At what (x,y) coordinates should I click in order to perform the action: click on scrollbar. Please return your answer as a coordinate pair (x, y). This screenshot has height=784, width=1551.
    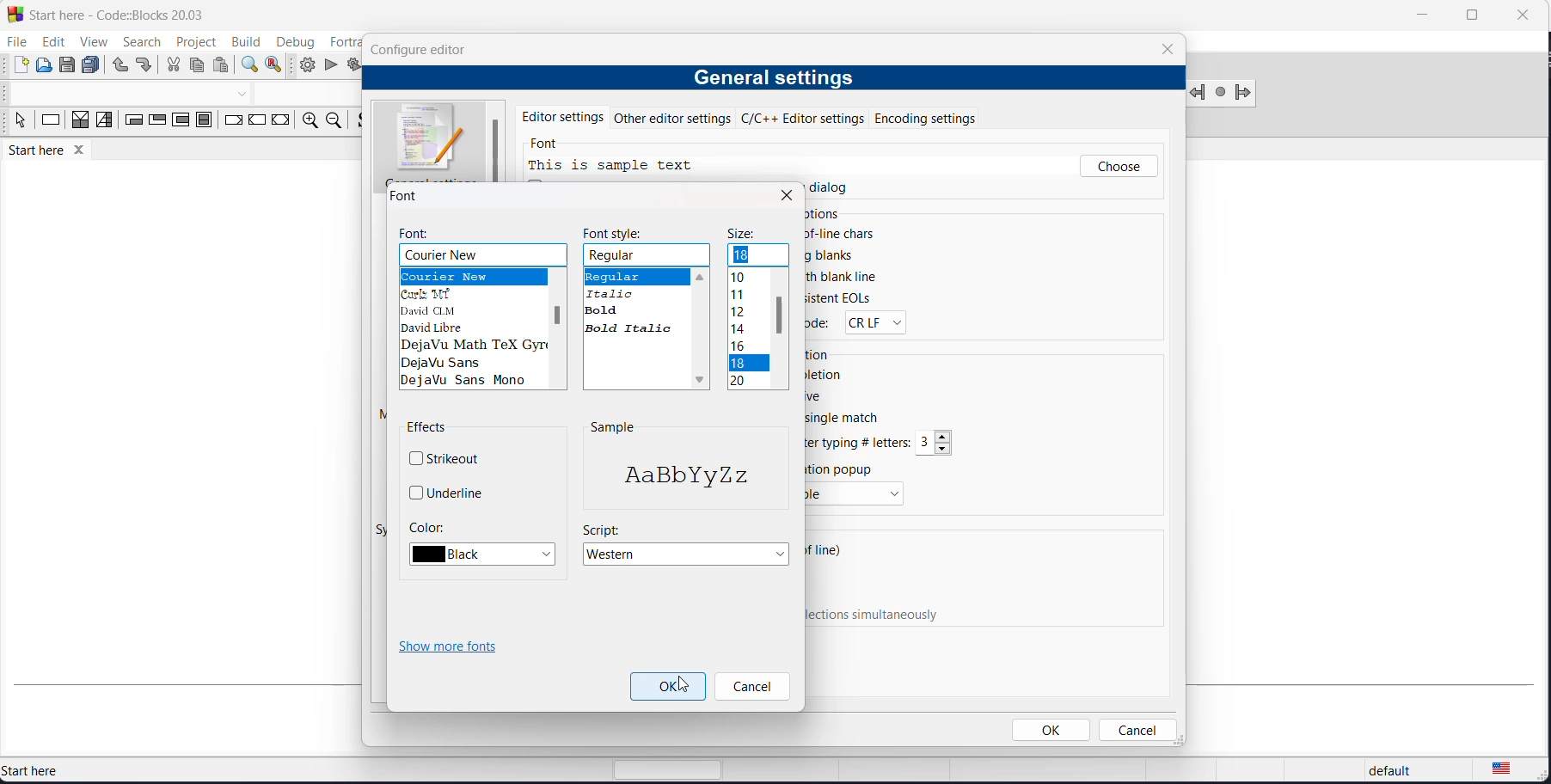
    Looking at the image, I should click on (781, 315).